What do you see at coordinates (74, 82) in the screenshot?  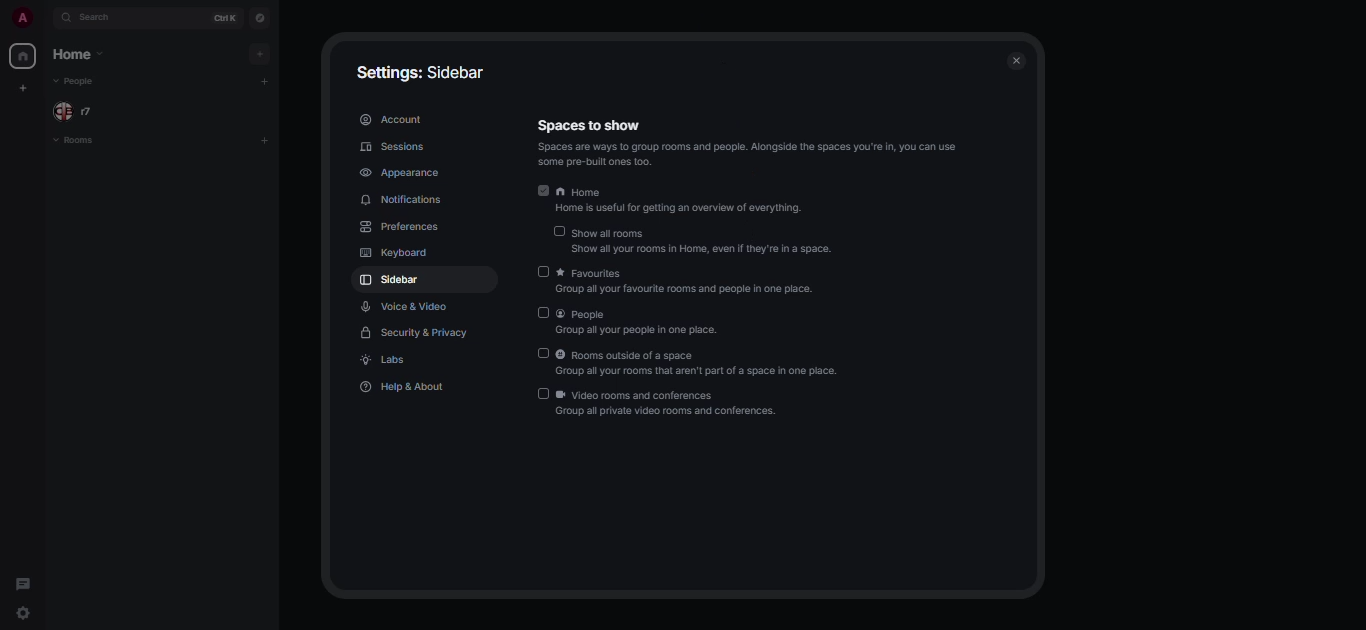 I see `people` at bounding box center [74, 82].